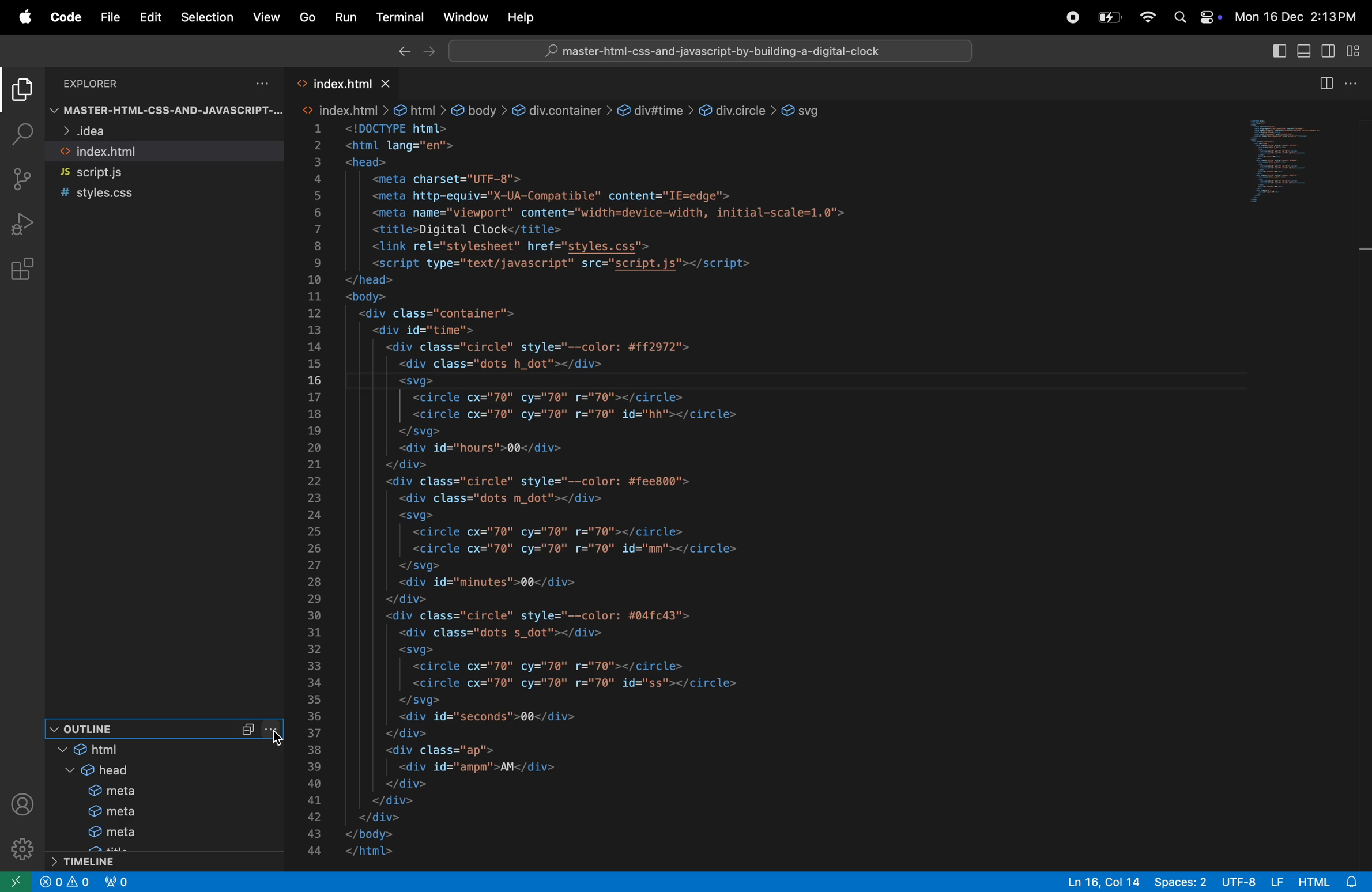 The image size is (1372, 892). What do you see at coordinates (163, 790) in the screenshot?
I see `meta` at bounding box center [163, 790].